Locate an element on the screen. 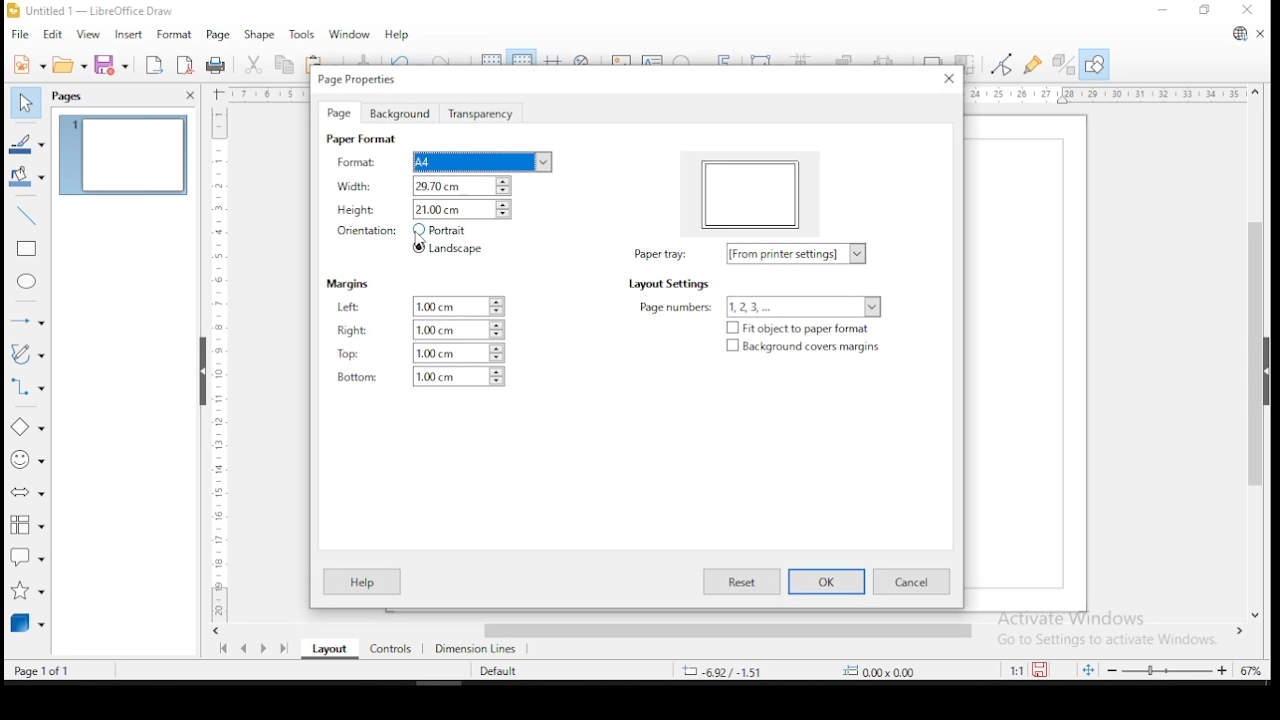 The width and height of the screenshot is (1280, 720). -6.92/-1.51 is located at coordinates (729, 670).